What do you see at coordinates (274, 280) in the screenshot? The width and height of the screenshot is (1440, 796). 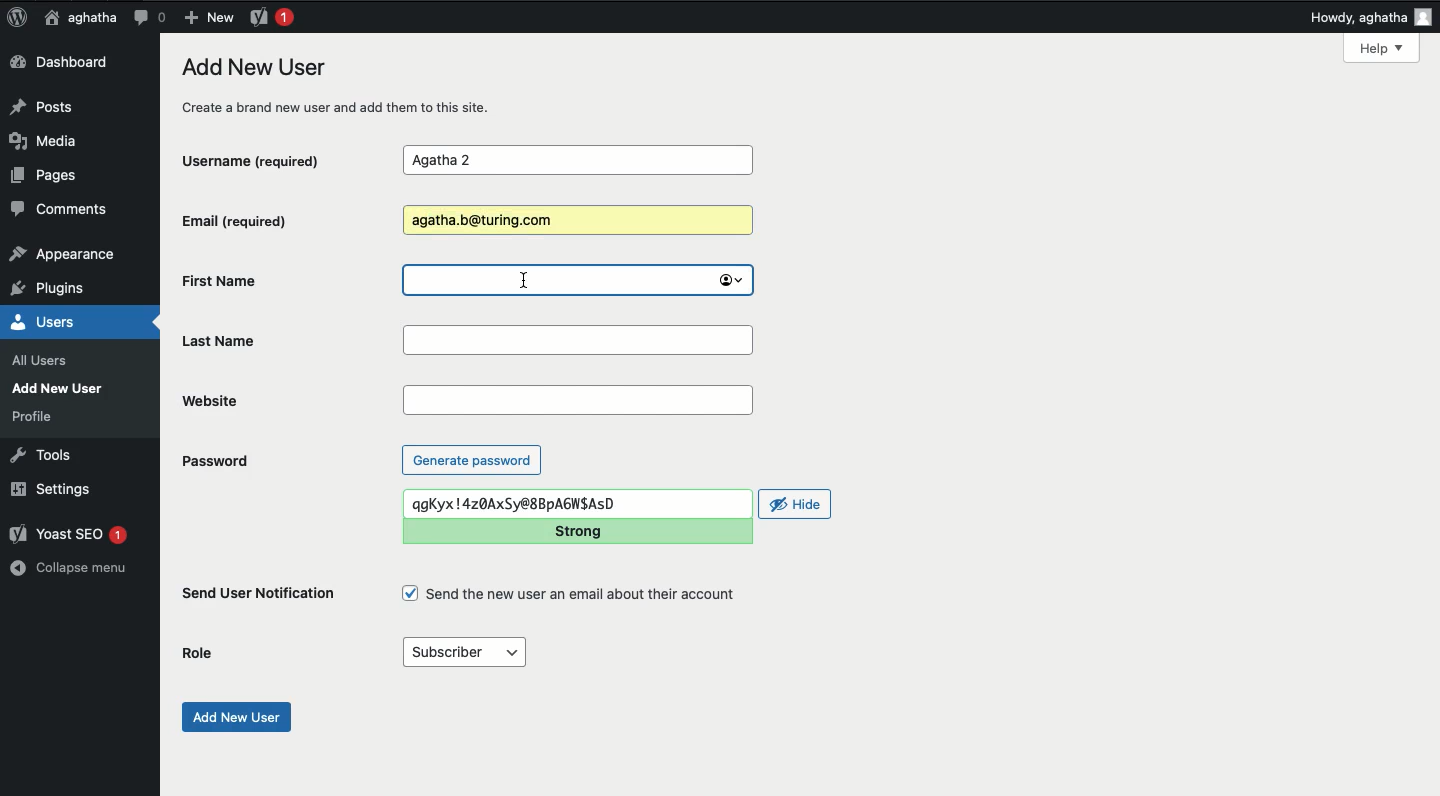 I see `` at bounding box center [274, 280].